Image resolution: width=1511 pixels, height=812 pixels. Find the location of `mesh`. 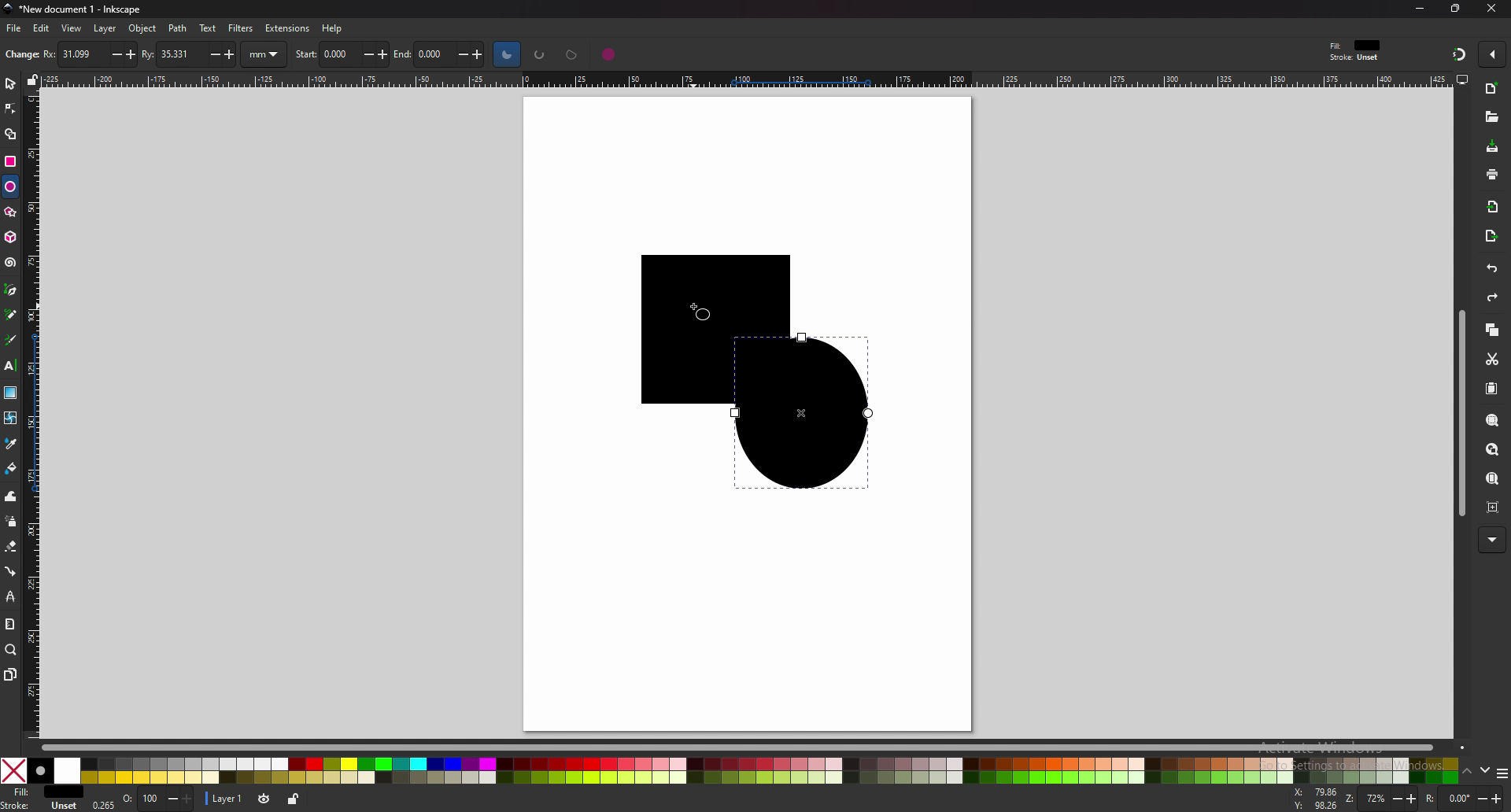

mesh is located at coordinates (11, 417).